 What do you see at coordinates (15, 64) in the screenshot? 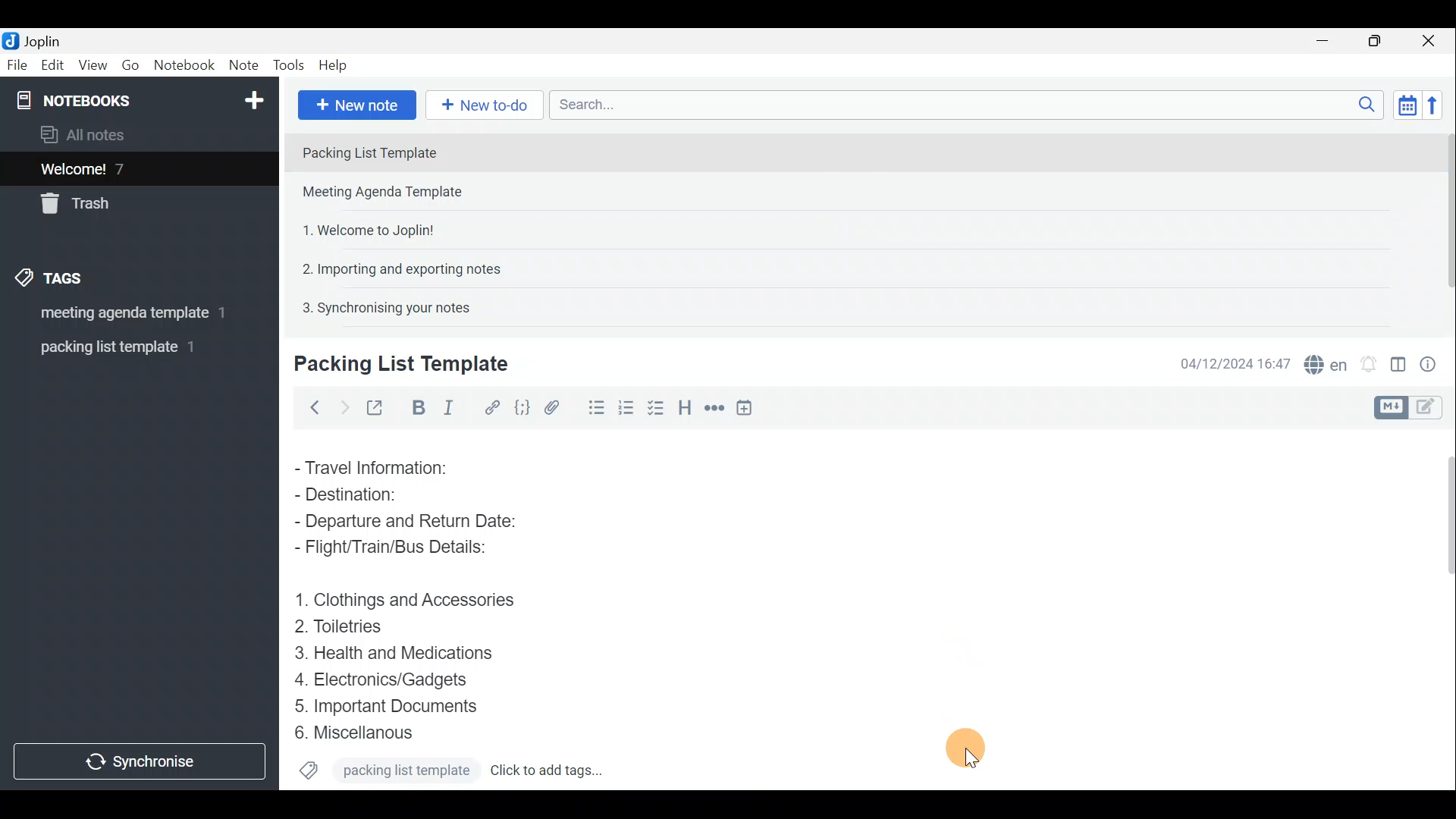
I see `File` at bounding box center [15, 64].